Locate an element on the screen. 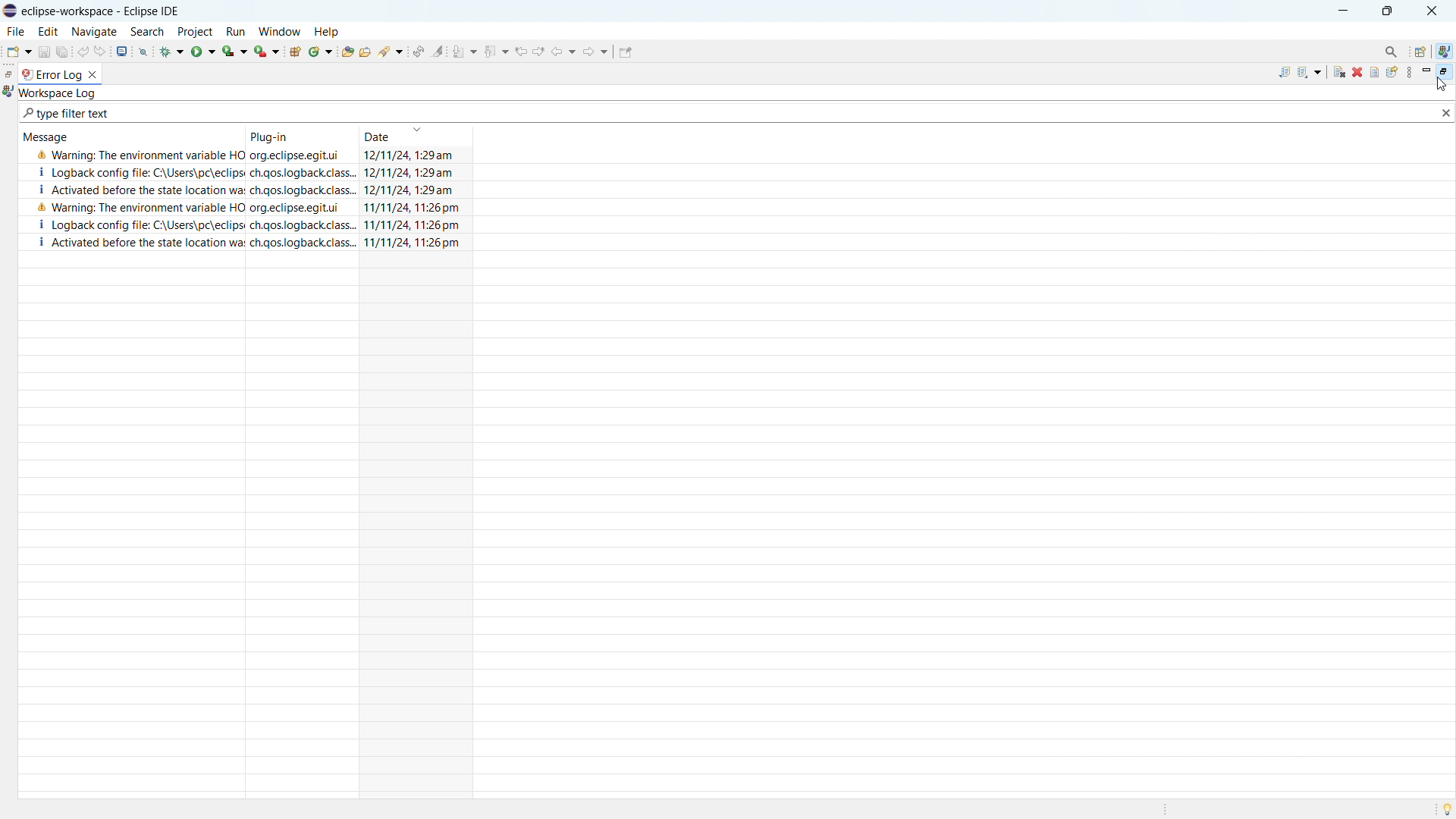  pin editor is located at coordinates (623, 52).